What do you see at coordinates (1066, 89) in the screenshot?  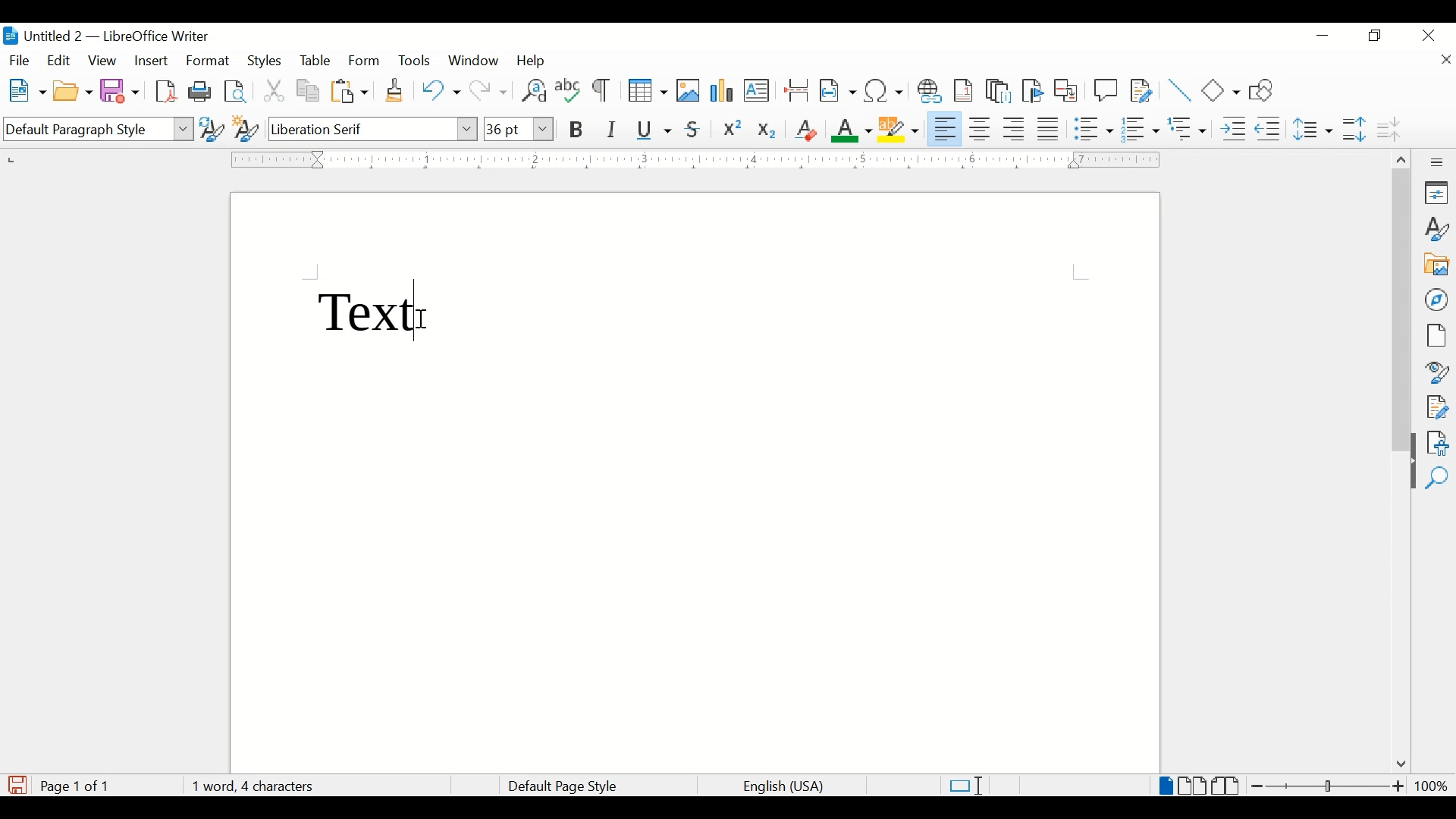 I see `insert cross-reference` at bounding box center [1066, 89].